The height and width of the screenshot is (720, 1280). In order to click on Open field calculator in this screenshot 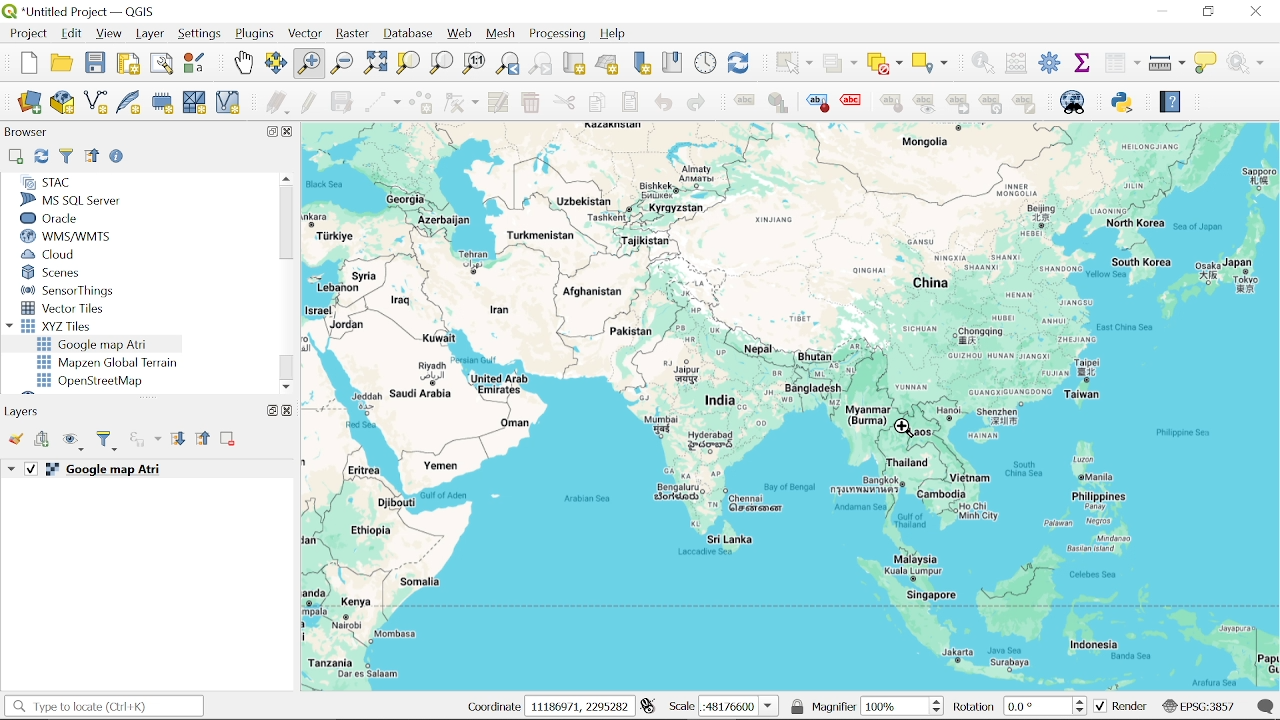, I will do `click(1014, 63)`.